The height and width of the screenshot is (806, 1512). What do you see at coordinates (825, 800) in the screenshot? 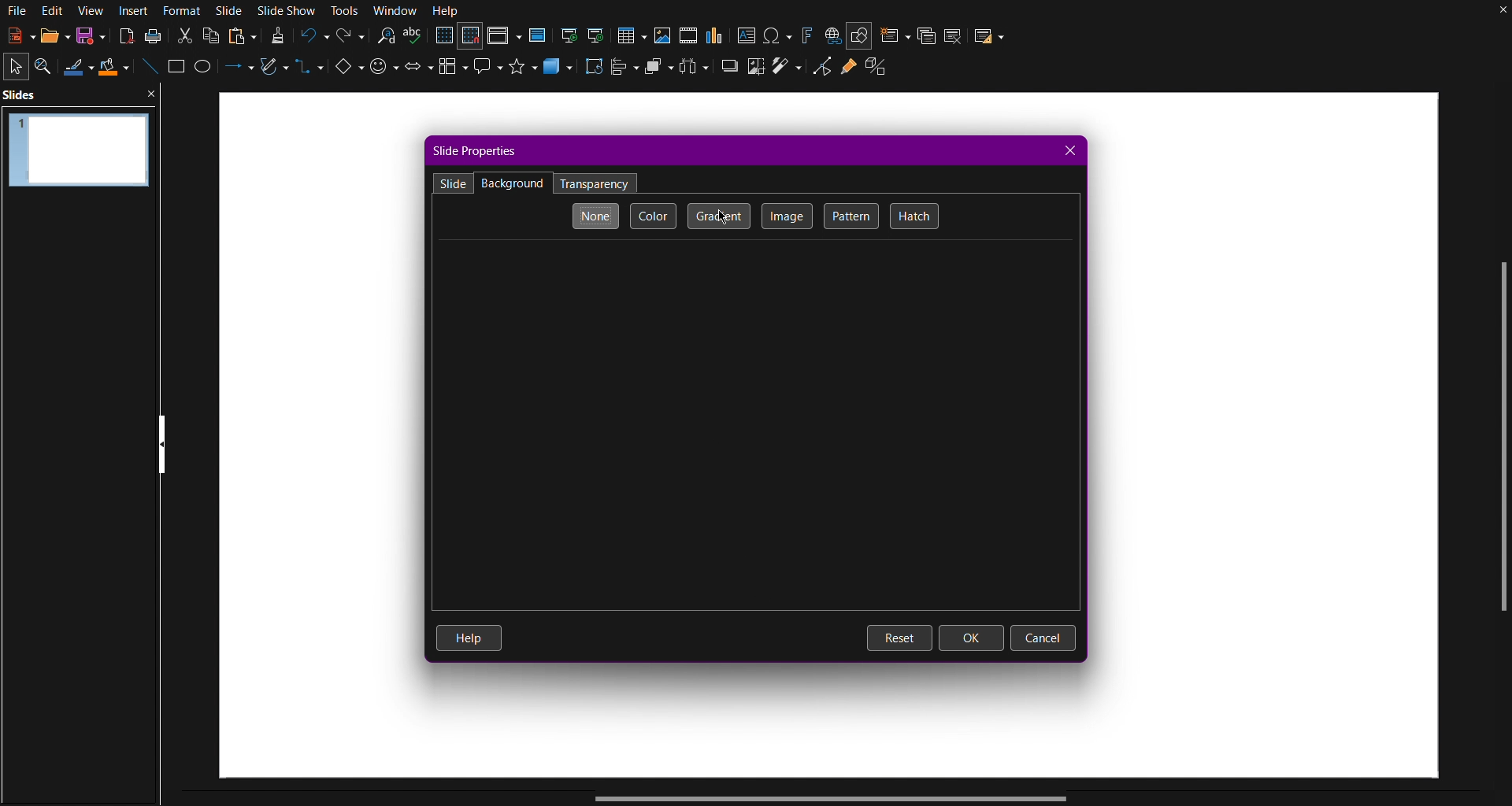
I see `Scrollbar` at bounding box center [825, 800].